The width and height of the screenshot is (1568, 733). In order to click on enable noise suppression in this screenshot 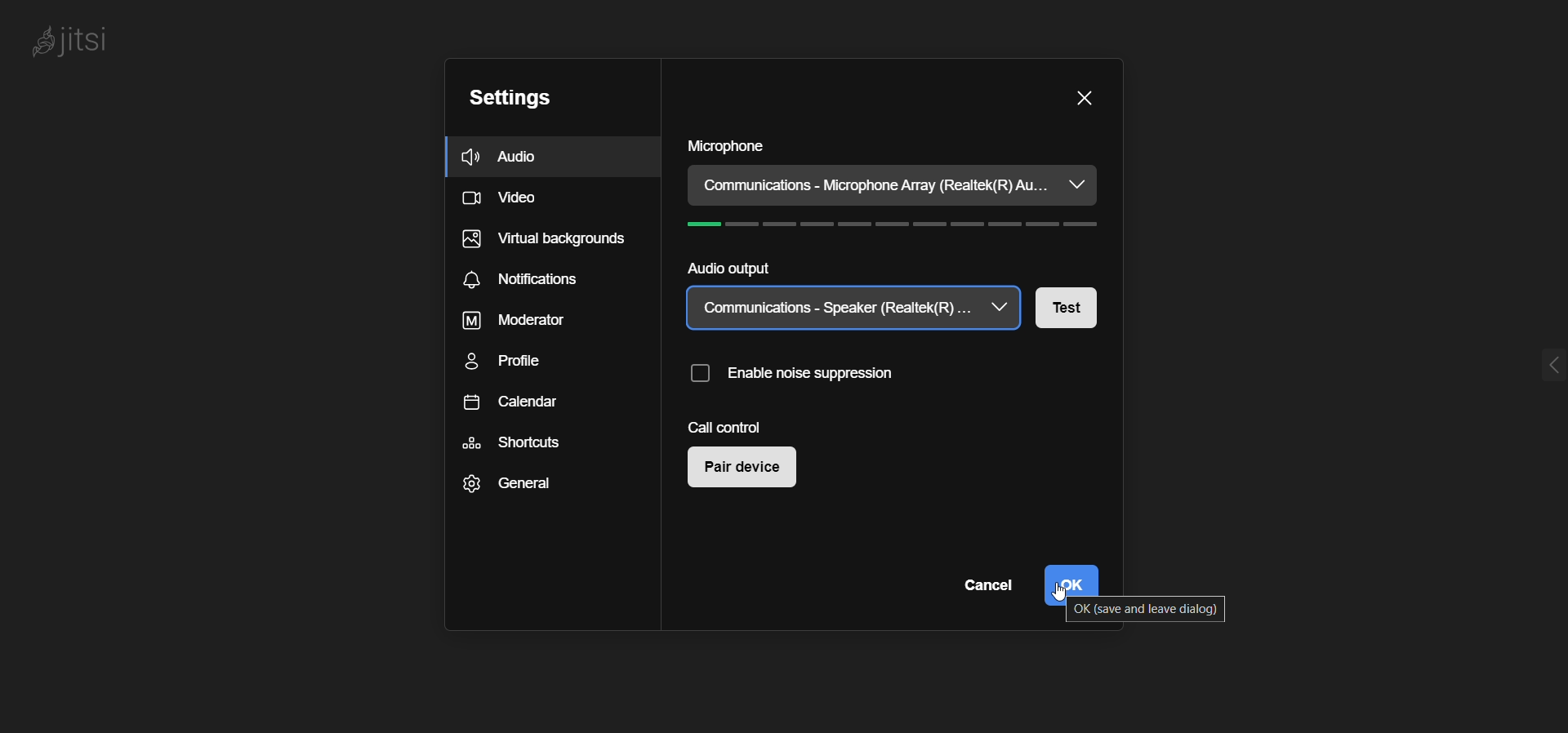, I will do `click(798, 379)`.